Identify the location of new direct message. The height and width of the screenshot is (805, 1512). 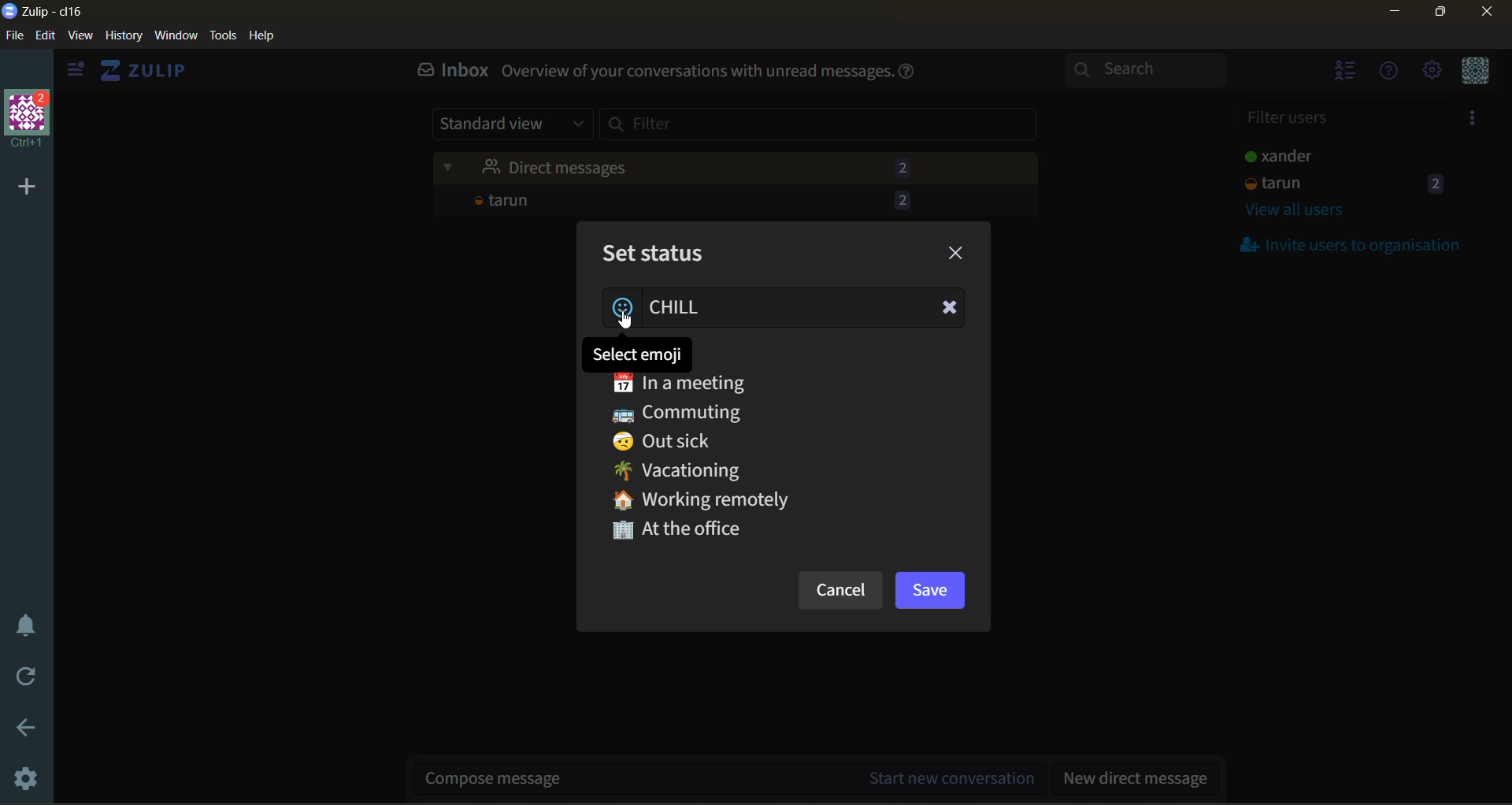
(1136, 777).